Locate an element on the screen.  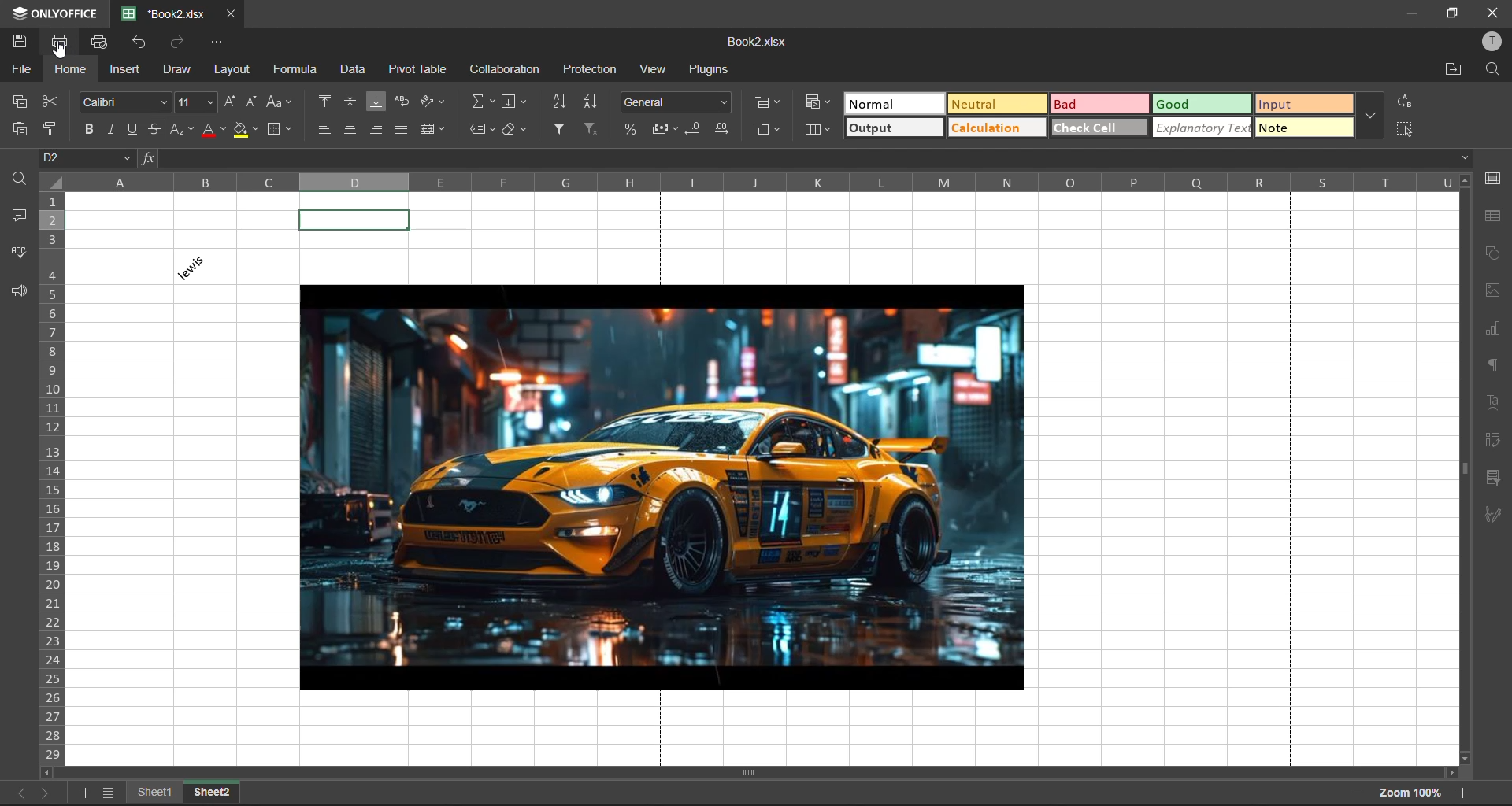
output is located at coordinates (895, 128).